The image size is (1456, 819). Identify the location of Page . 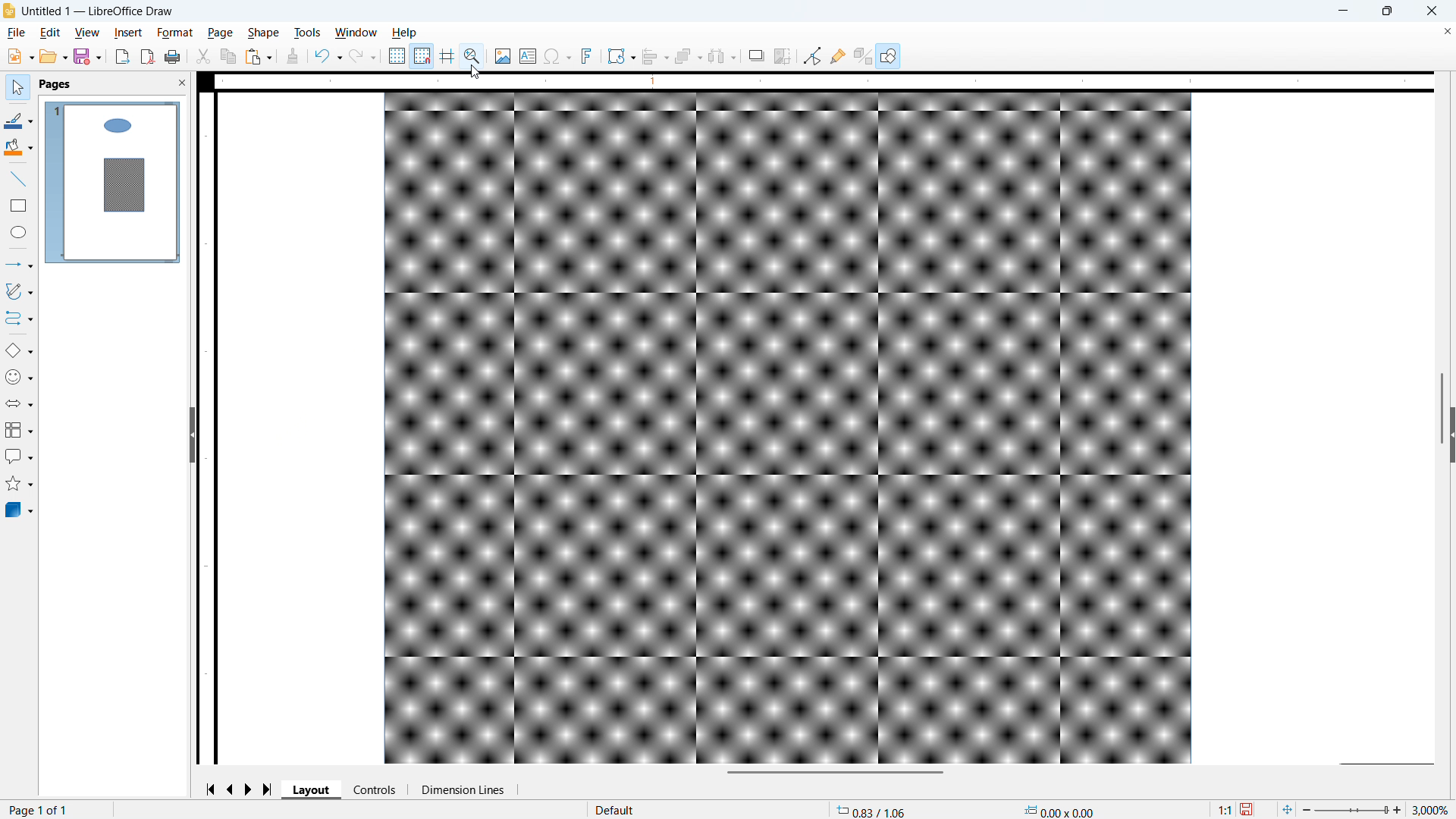
(827, 428).